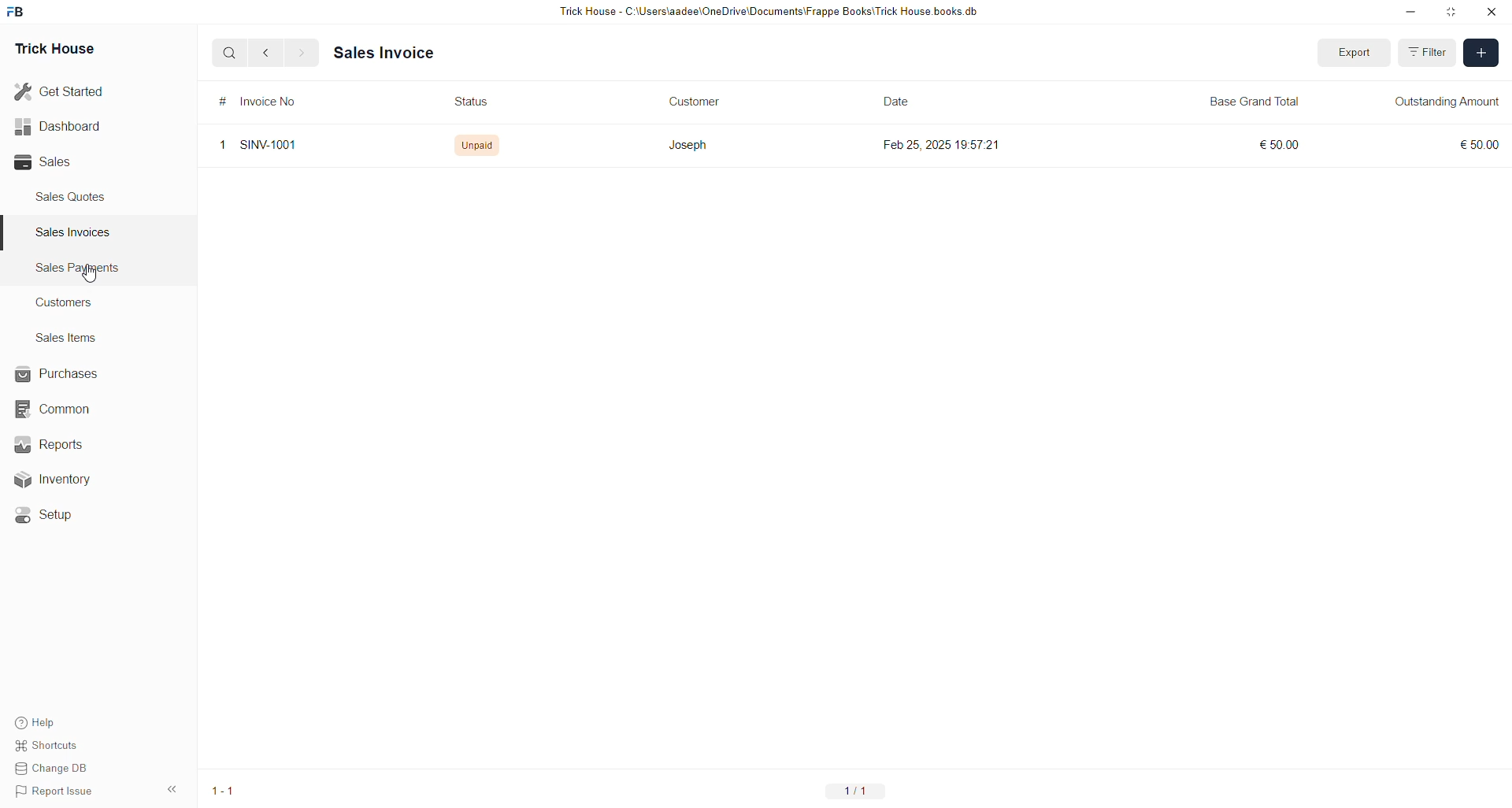 Image resolution: width=1512 pixels, height=808 pixels. What do you see at coordinates (1476, 145) in the screenshot?
I see `€50.00` at bounding box center [1476, 145].